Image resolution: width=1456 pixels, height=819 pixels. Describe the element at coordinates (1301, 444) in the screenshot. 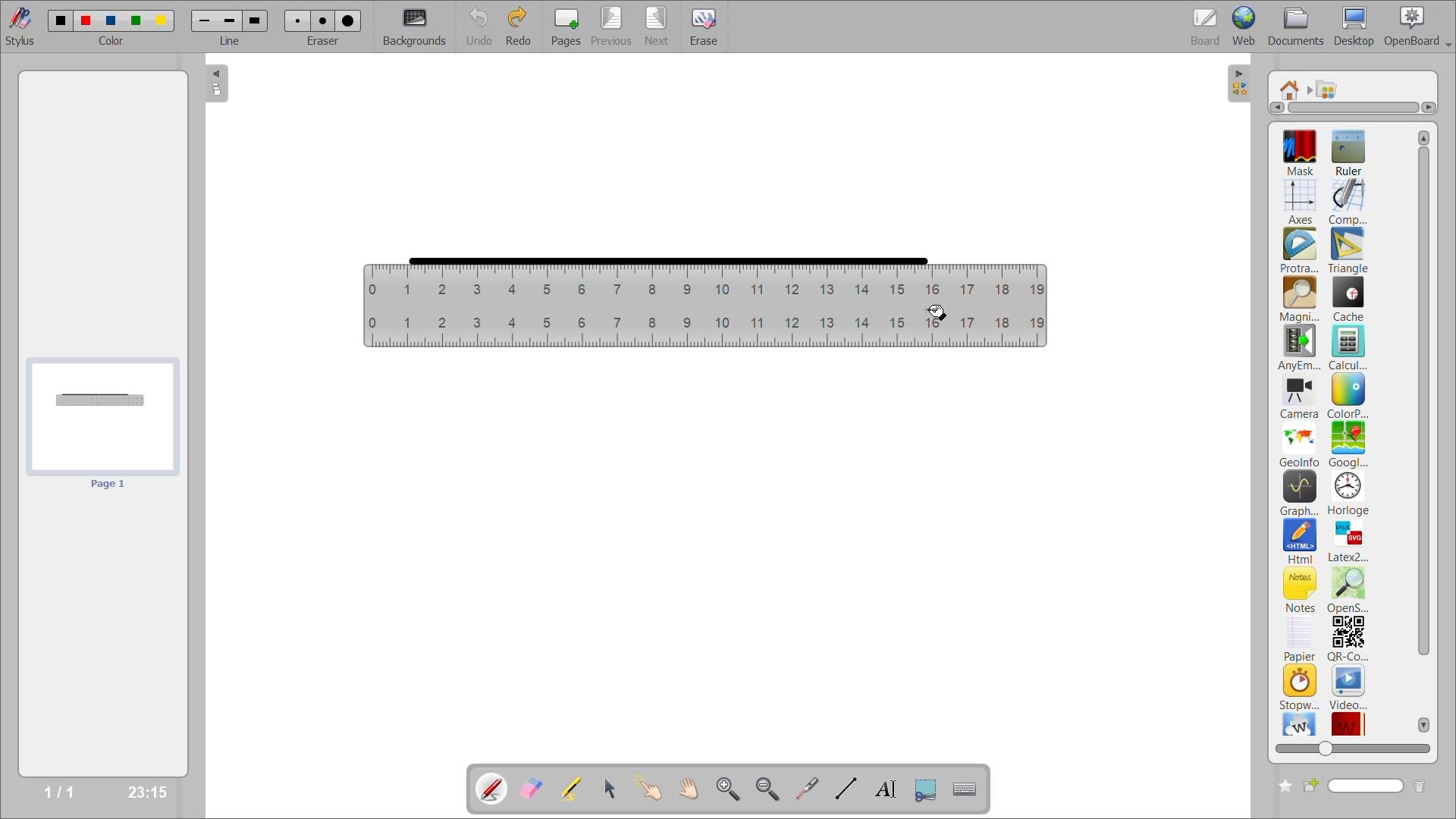

I see `geoinfo` at that location.